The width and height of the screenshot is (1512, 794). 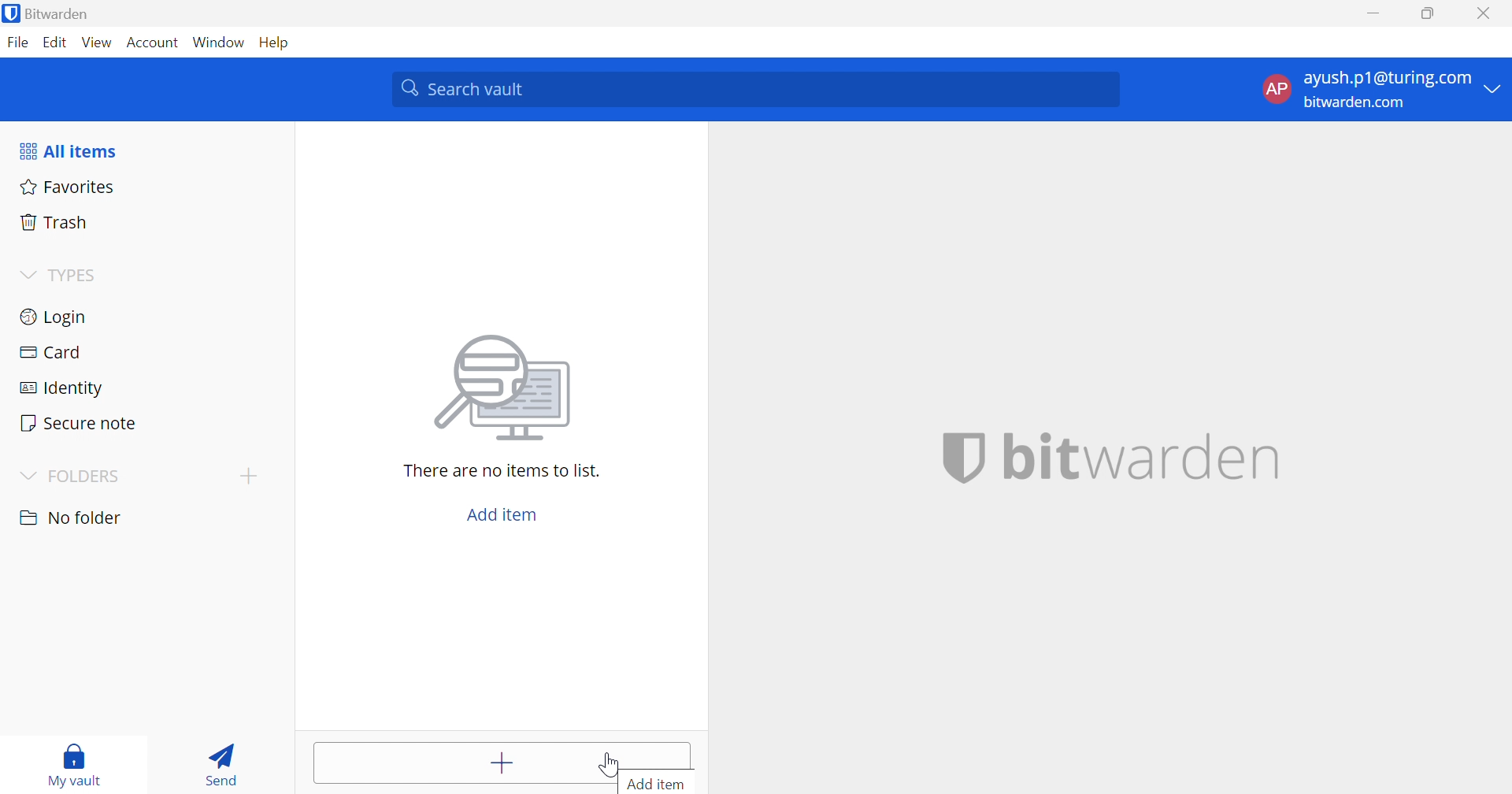 I want to click on Secure note, so click(x=80, y=421).